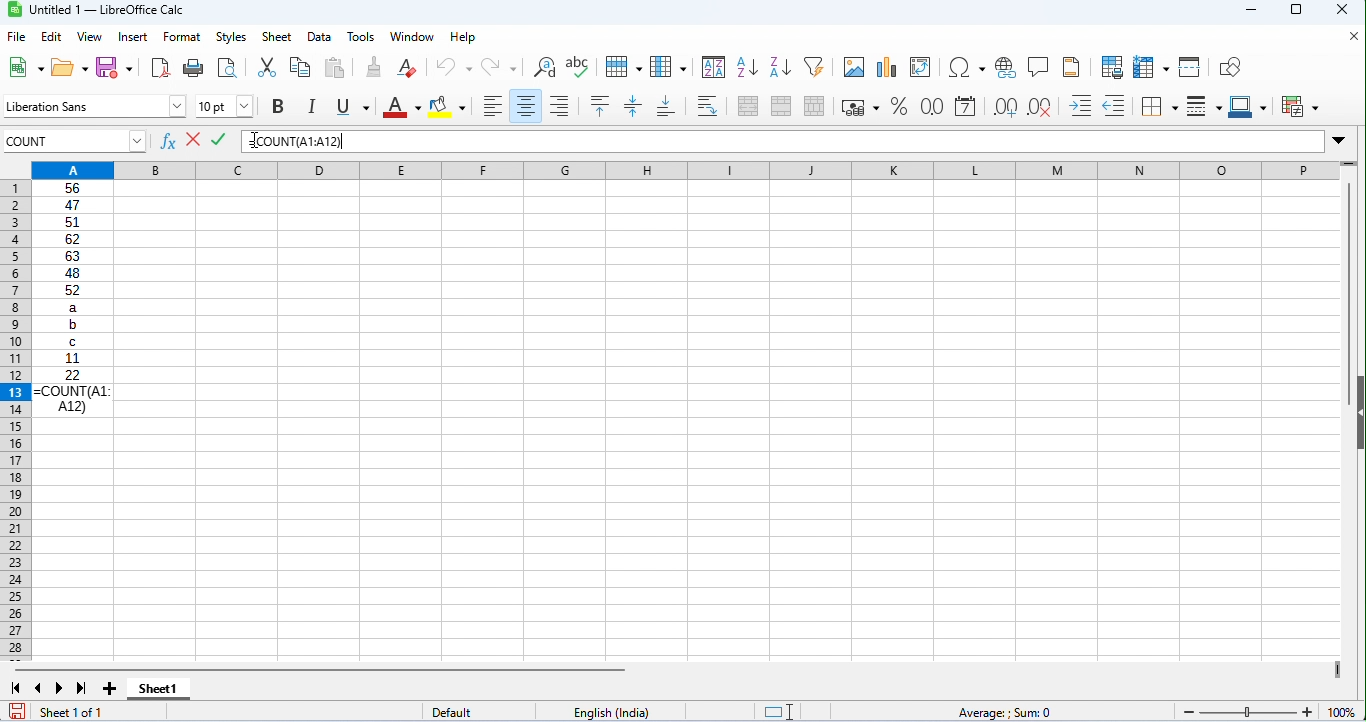  What do you see at coordinates (70, 67) in the screenshot?
I see `open` at bounding box center [70, 67].